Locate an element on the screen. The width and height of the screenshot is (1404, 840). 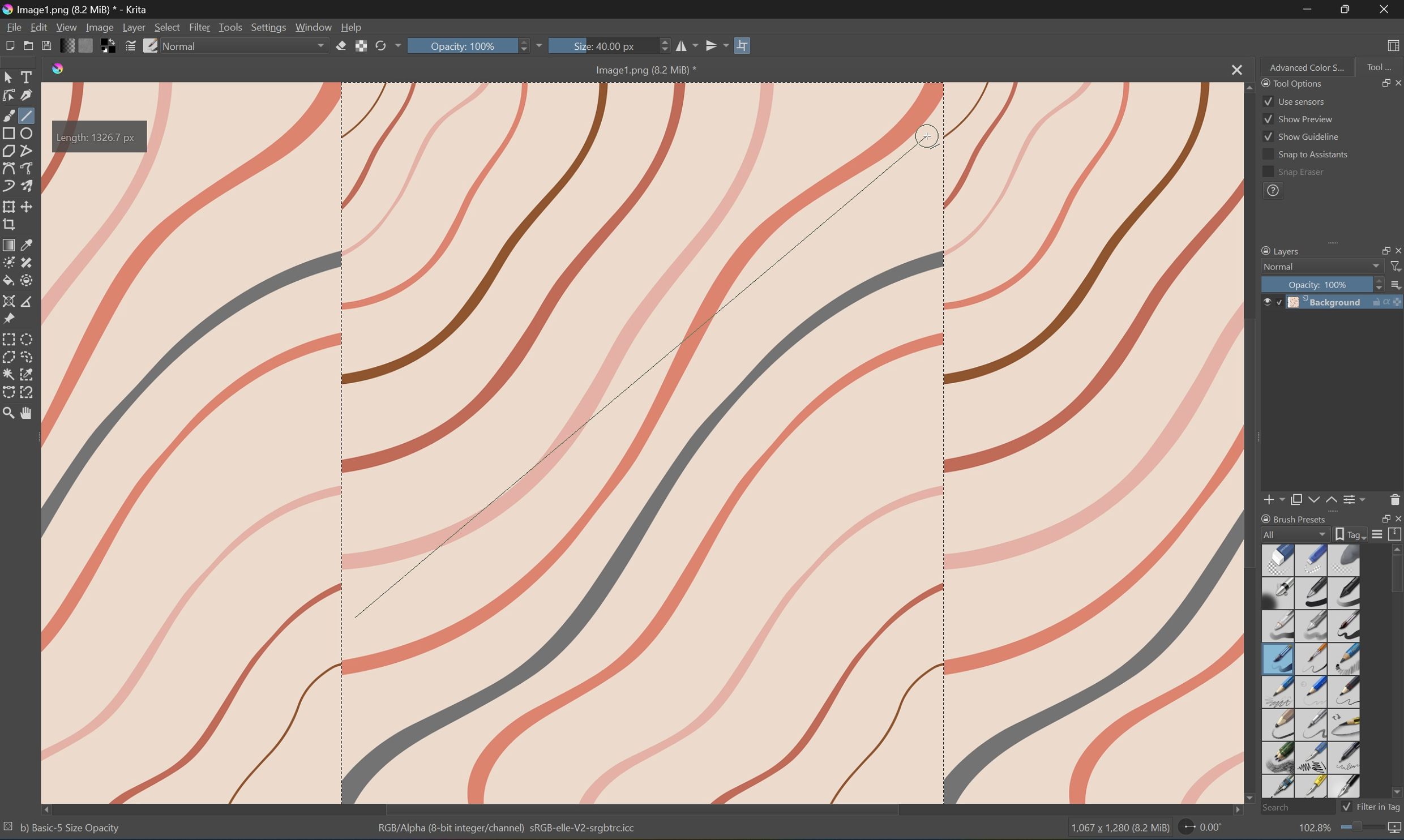
Thumbnail is located at coordinates (1395, 284).